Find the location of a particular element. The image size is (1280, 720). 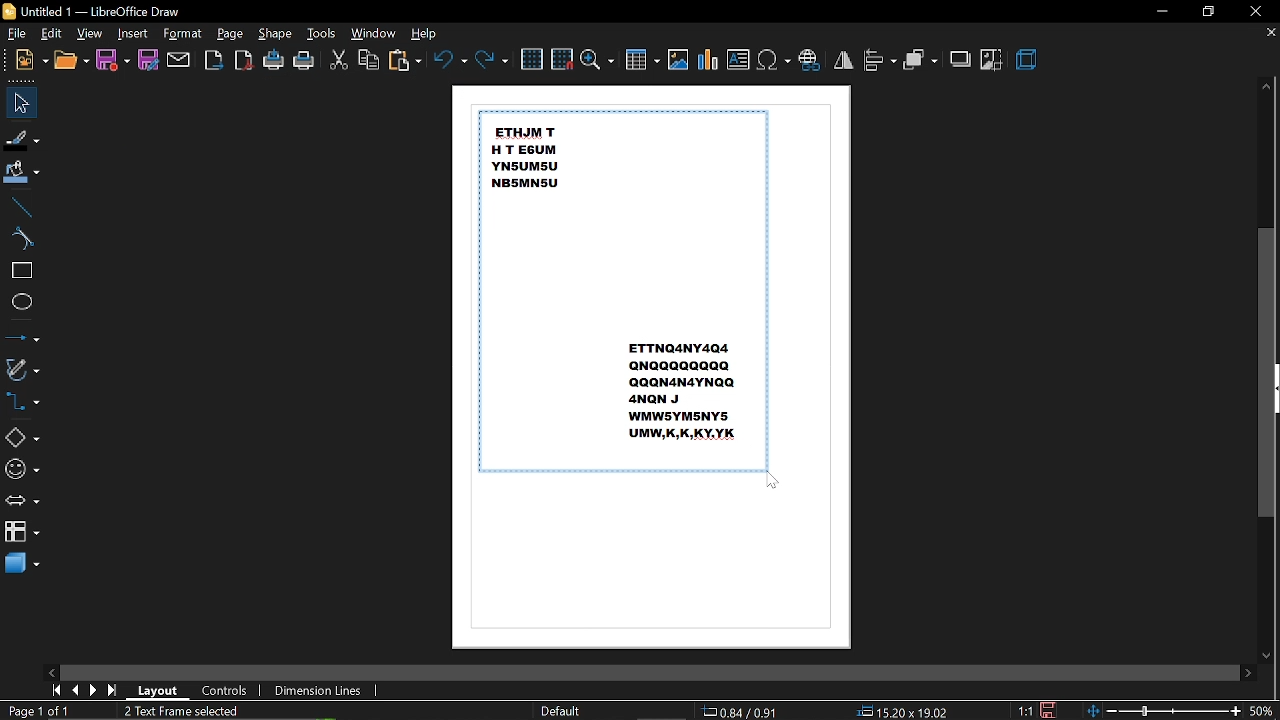

tools is located at coordinates (324, 33).